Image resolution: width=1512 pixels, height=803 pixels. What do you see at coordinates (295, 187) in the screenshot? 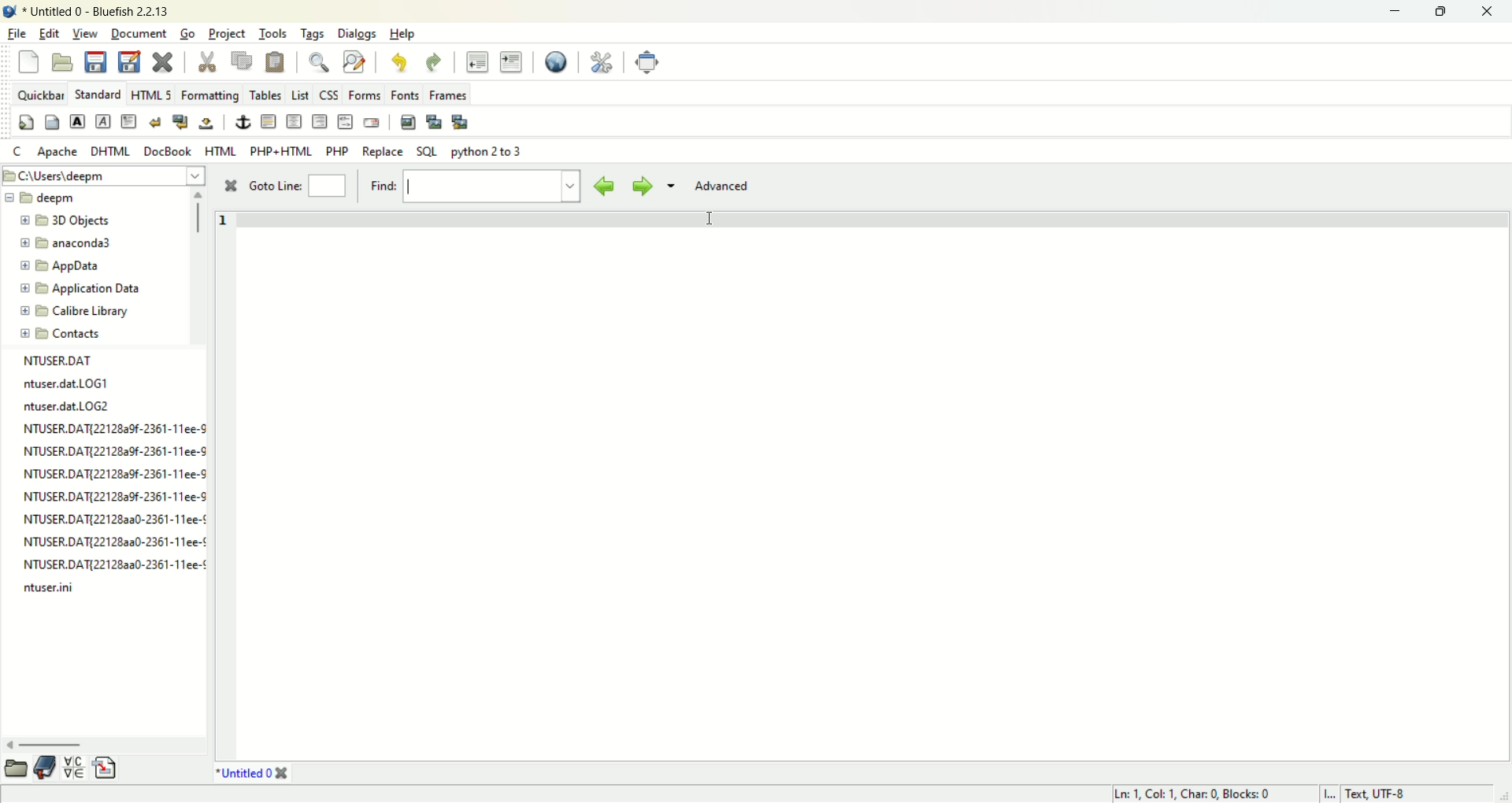
I see `goto line` at bounding box center [295, 187].